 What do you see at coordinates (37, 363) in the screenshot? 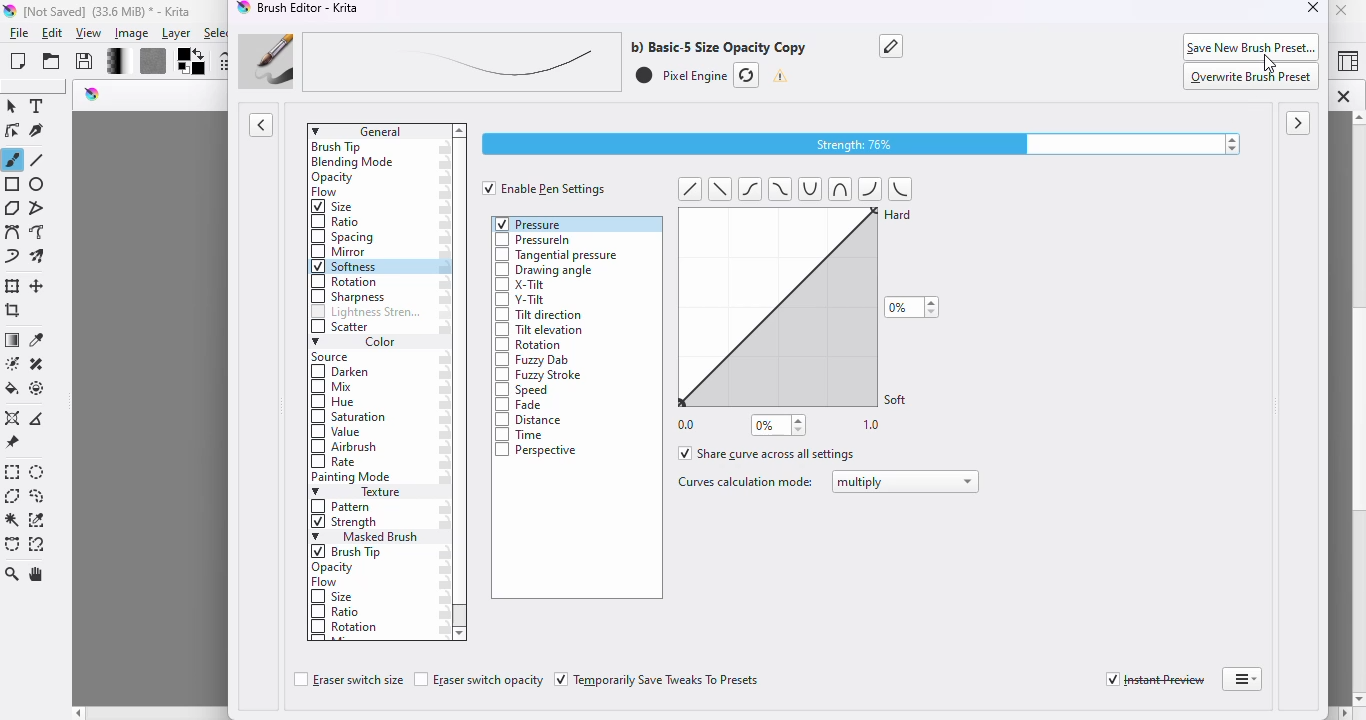
I see `smart patch tool` at bounding box center [37, 363].